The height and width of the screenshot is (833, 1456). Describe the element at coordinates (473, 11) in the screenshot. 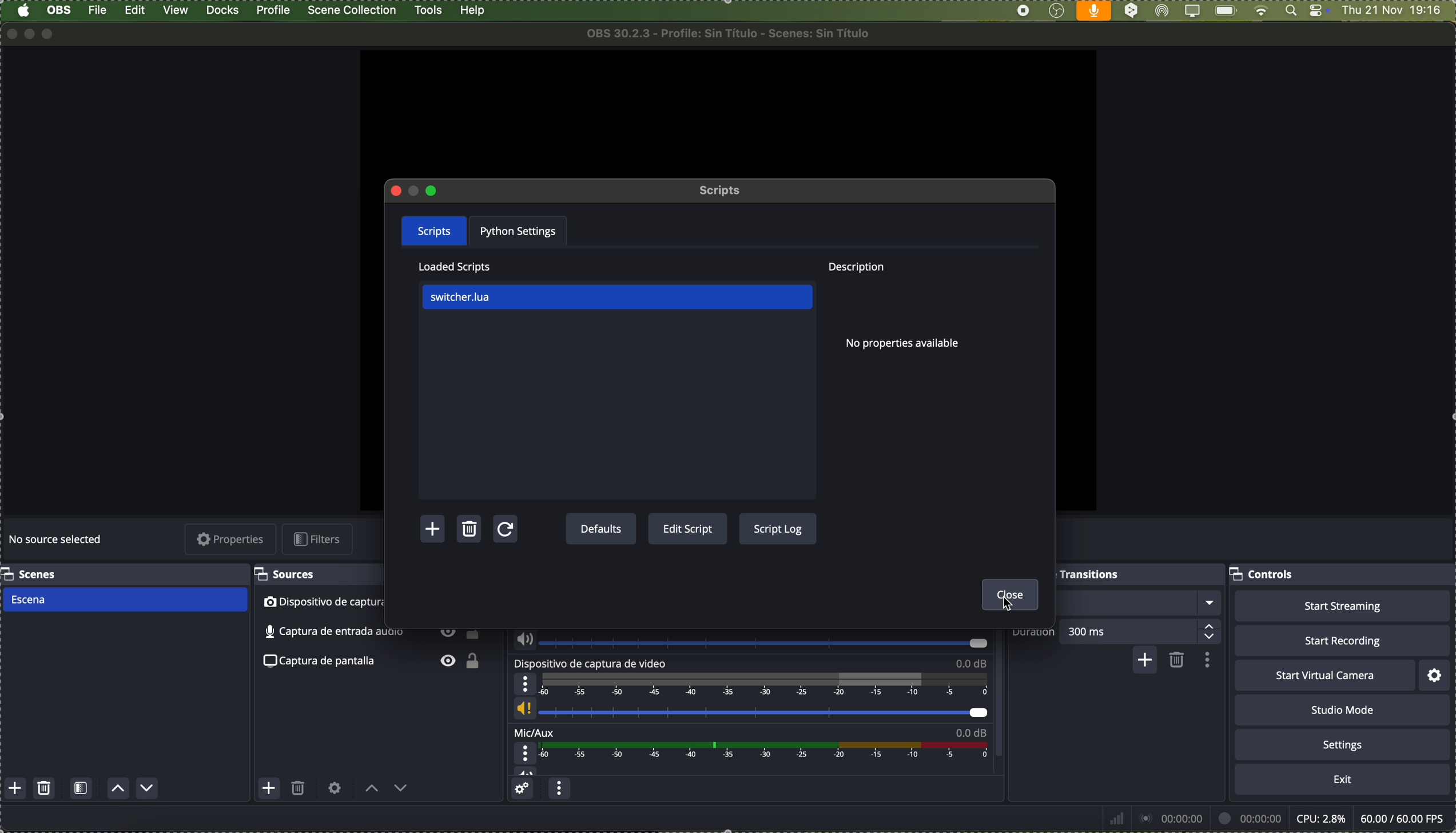

I see `help` at that location.